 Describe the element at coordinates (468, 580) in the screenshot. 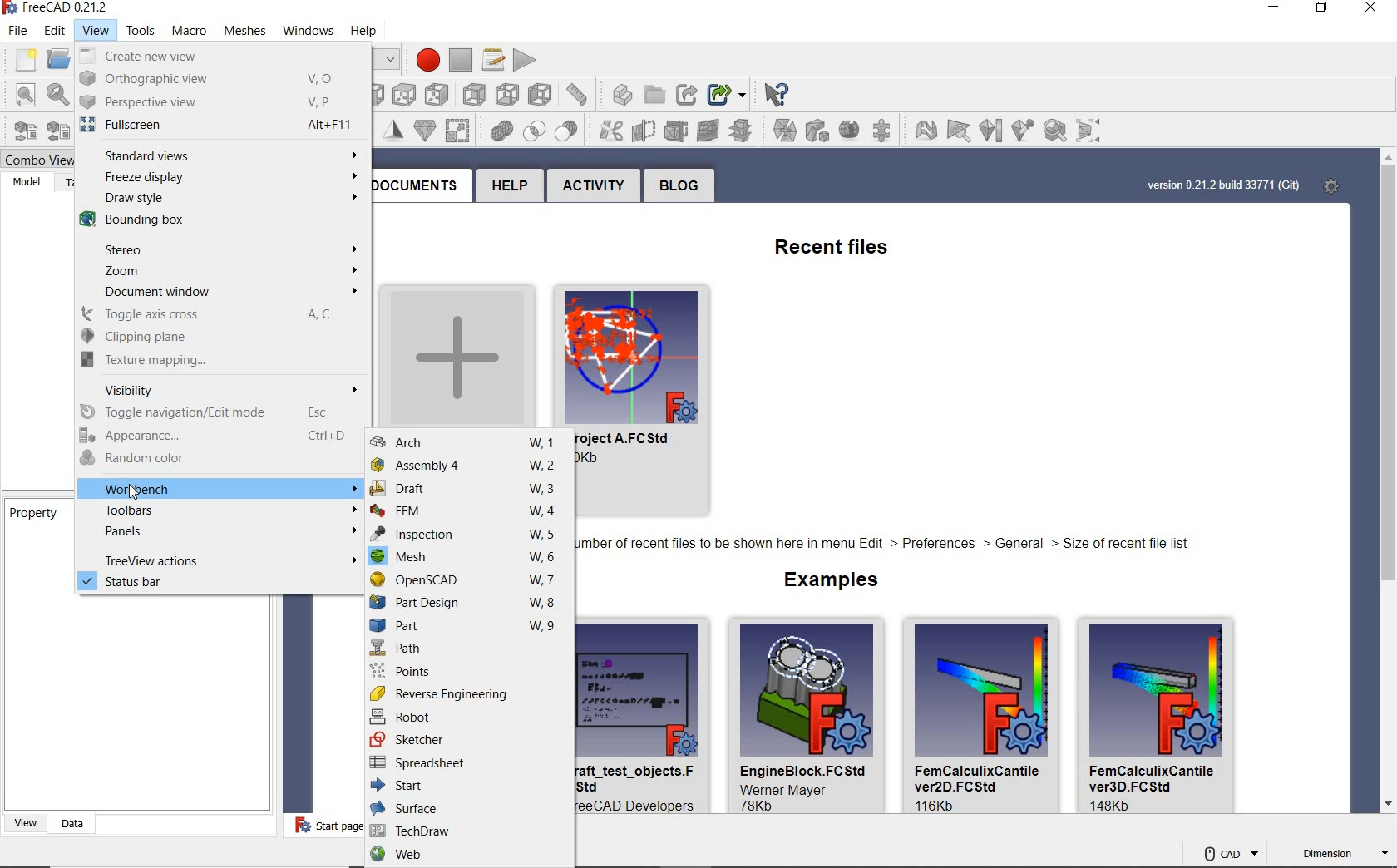

I see `openscad` at that location.